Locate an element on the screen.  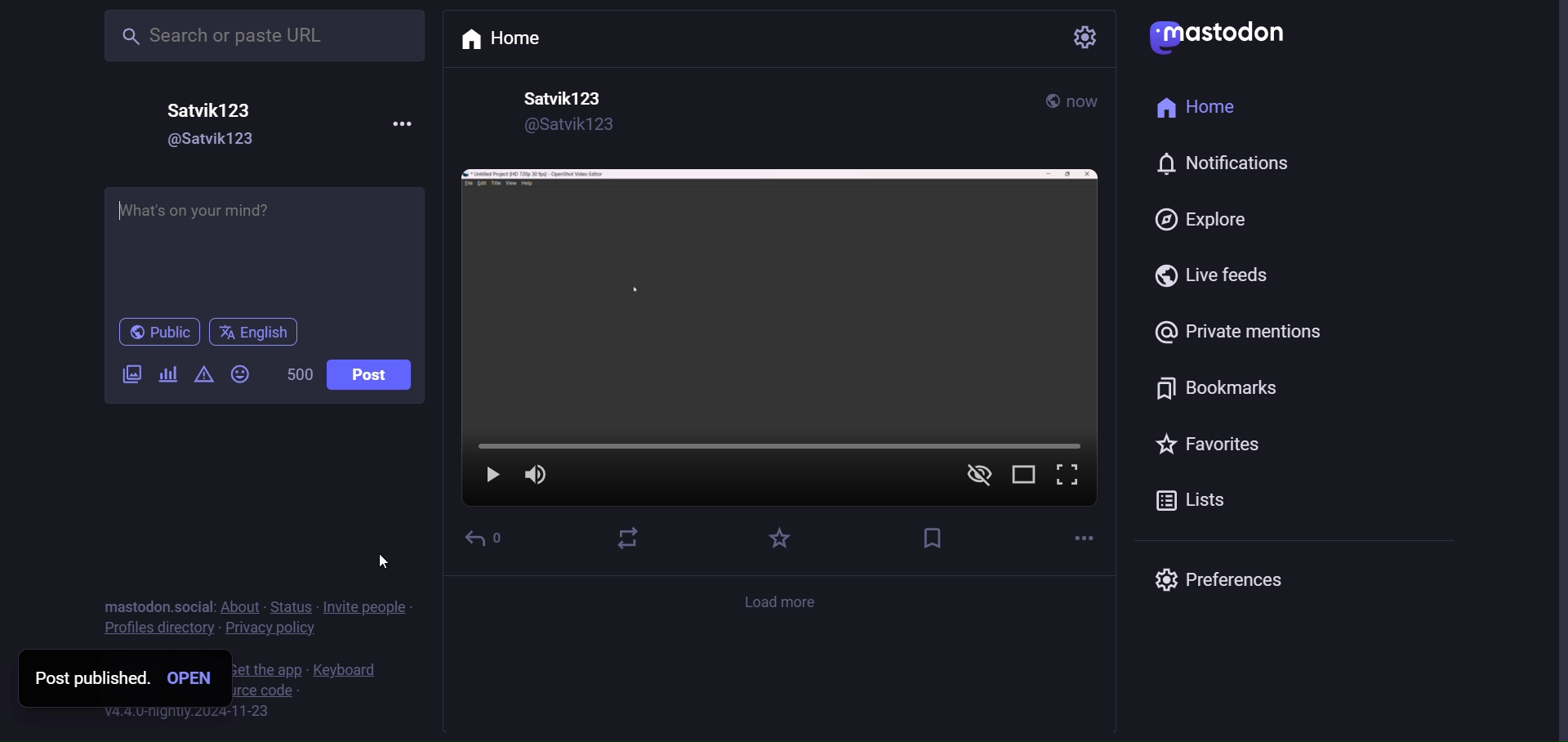
preferences is located at coordinates (1223, 579).